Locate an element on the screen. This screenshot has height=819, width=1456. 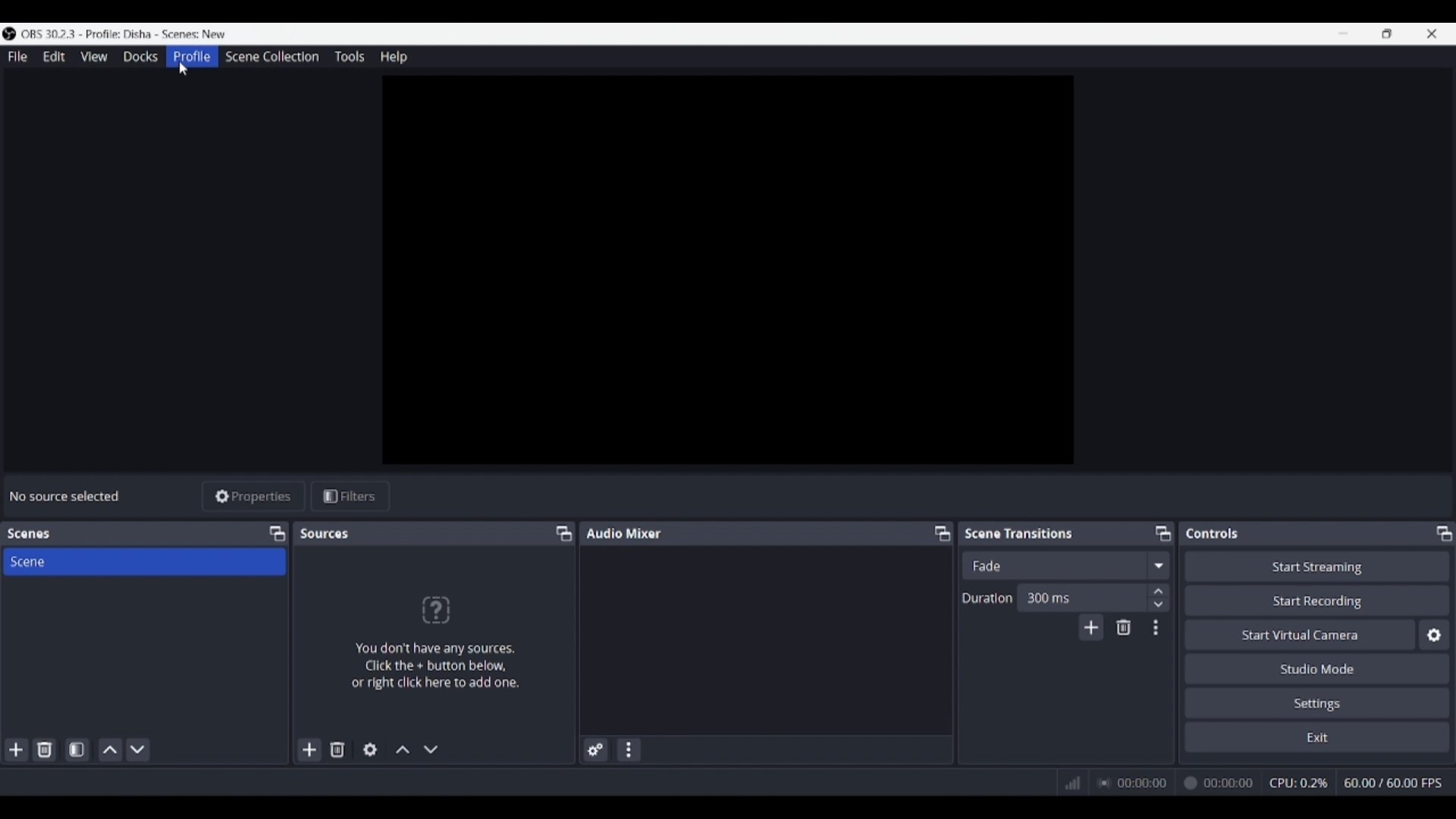
Docks menu is located at coordinates (140, 57).